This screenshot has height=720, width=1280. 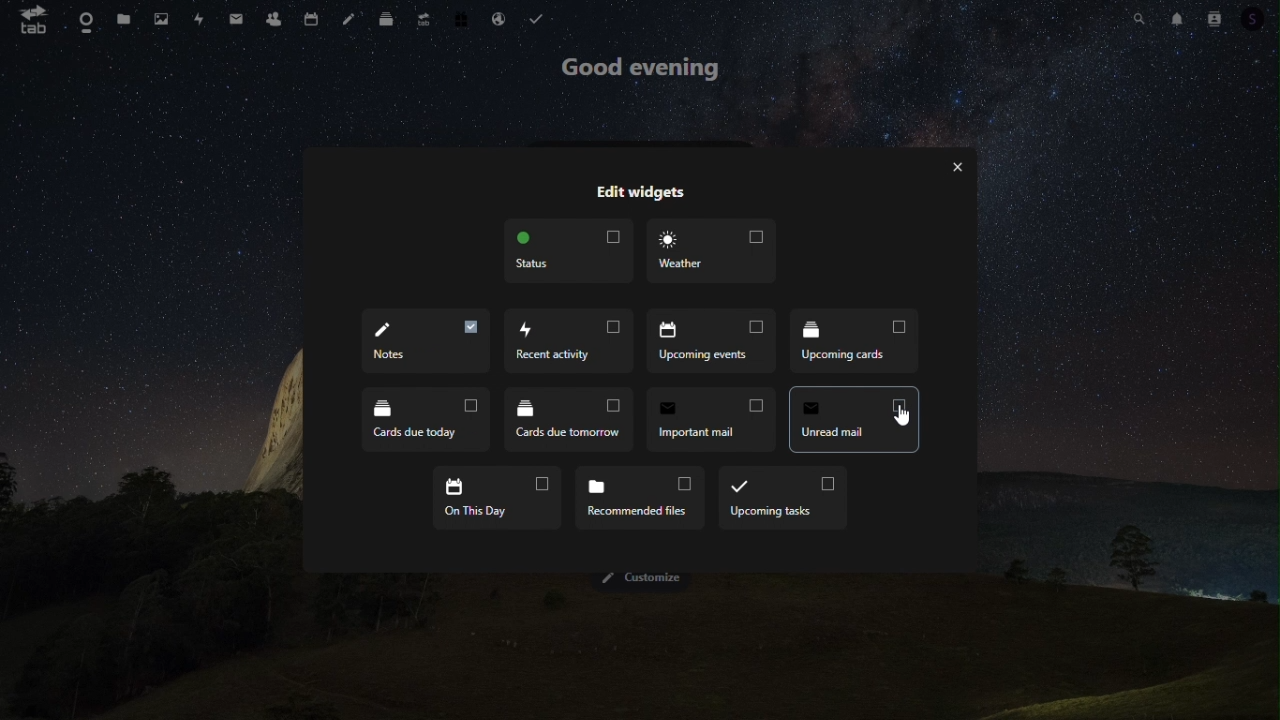 I want to click on Upcoming cards, so click(x=710, y=345).